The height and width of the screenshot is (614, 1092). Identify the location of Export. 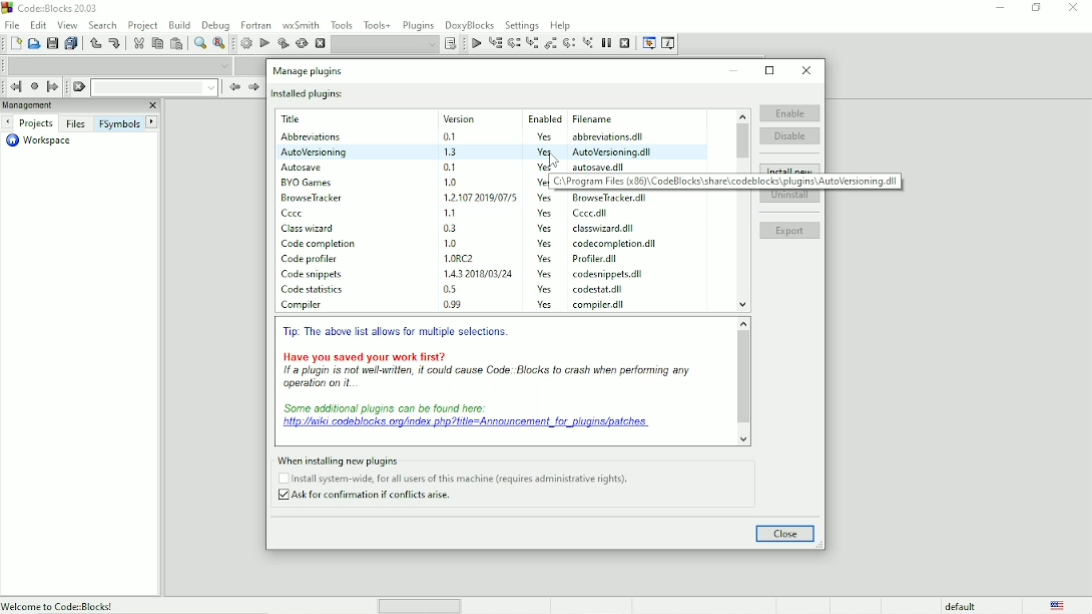
(790, 232).